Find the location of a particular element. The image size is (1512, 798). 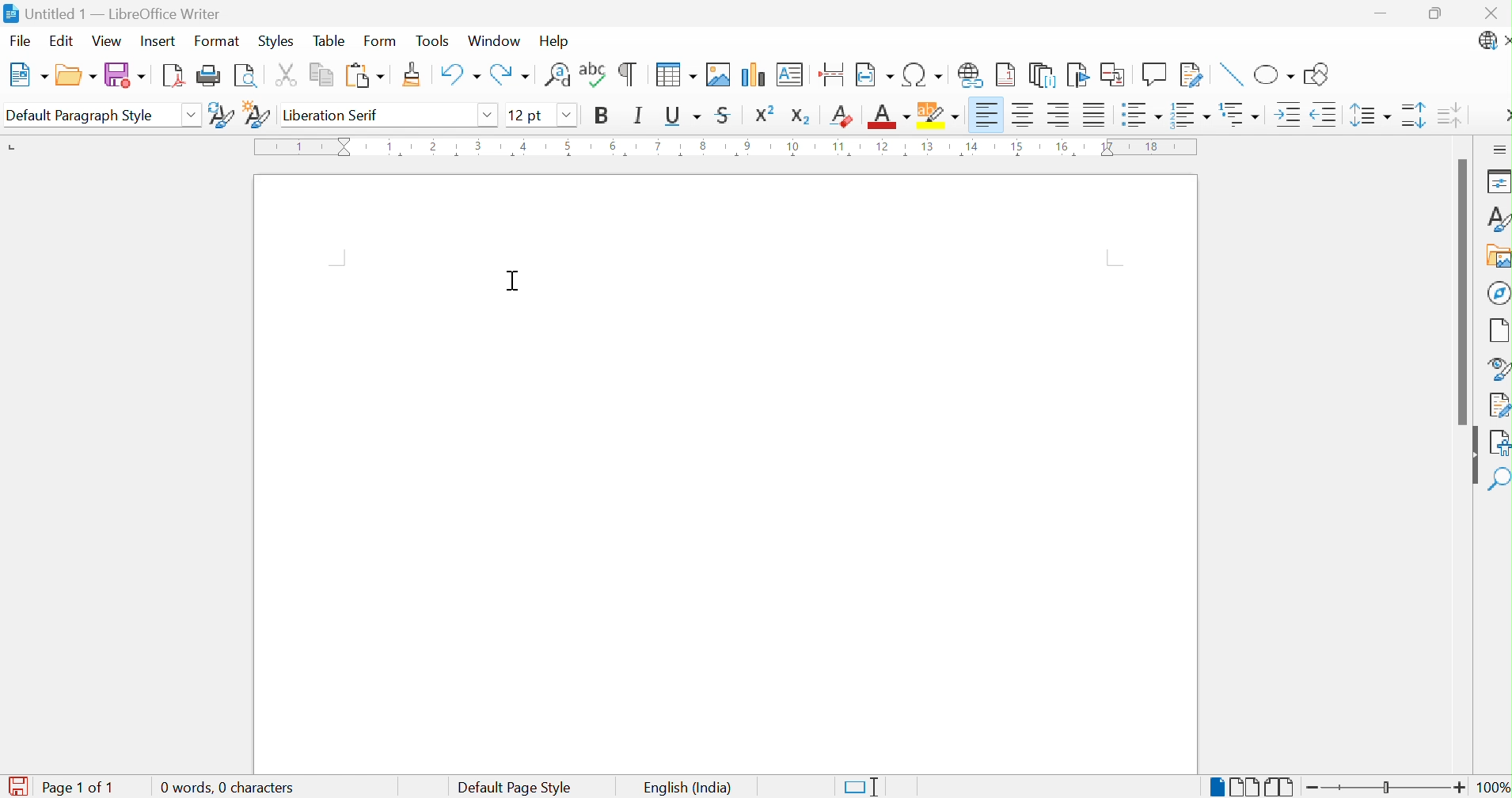

Insert Image is located at coordinates (716, 74).